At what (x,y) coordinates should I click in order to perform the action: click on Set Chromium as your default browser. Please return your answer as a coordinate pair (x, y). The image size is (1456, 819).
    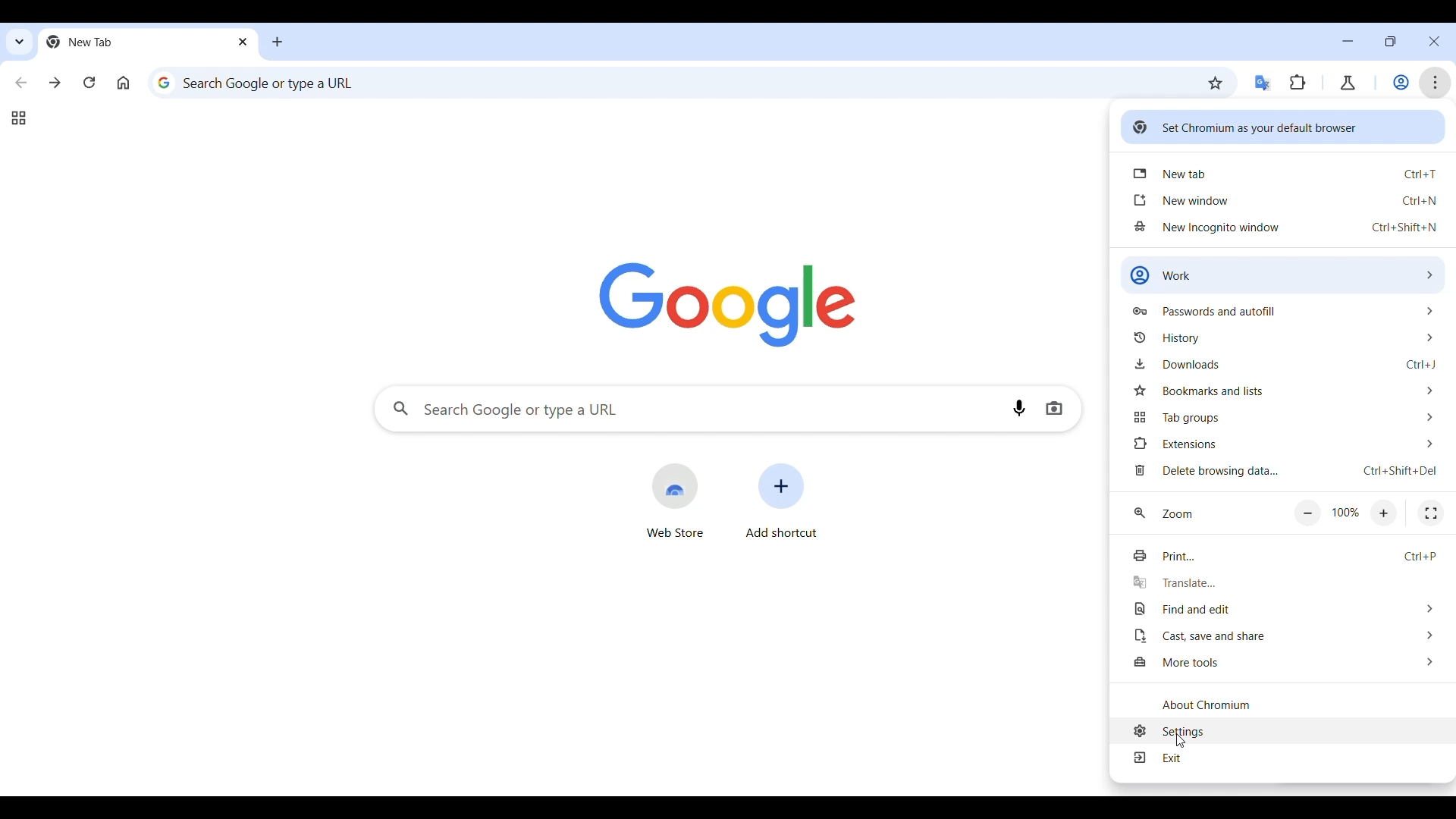
    Looking at the image, I should click on (1283, 127).